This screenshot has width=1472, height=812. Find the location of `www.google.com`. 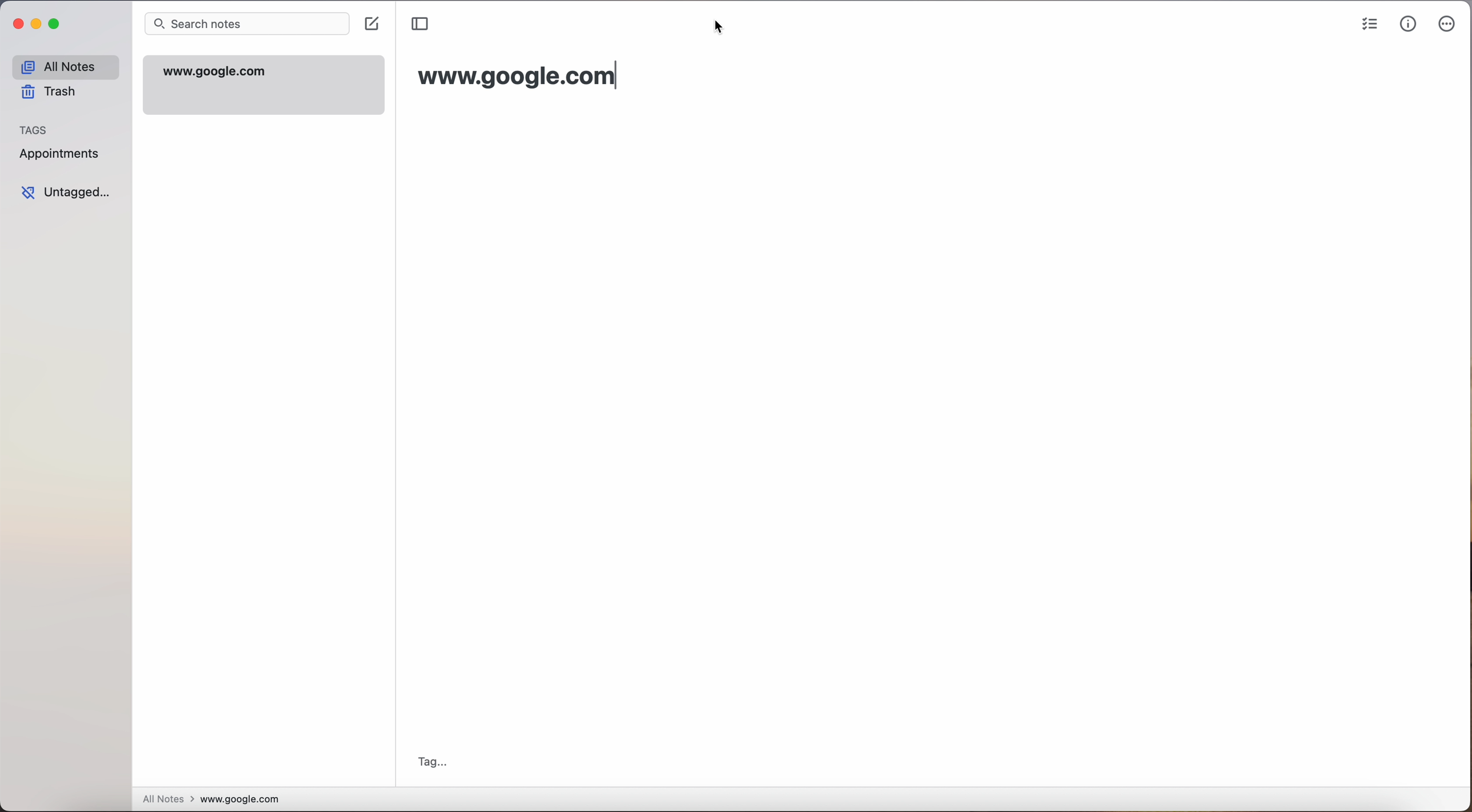

www.google.com is located at coordinates (264, 86).